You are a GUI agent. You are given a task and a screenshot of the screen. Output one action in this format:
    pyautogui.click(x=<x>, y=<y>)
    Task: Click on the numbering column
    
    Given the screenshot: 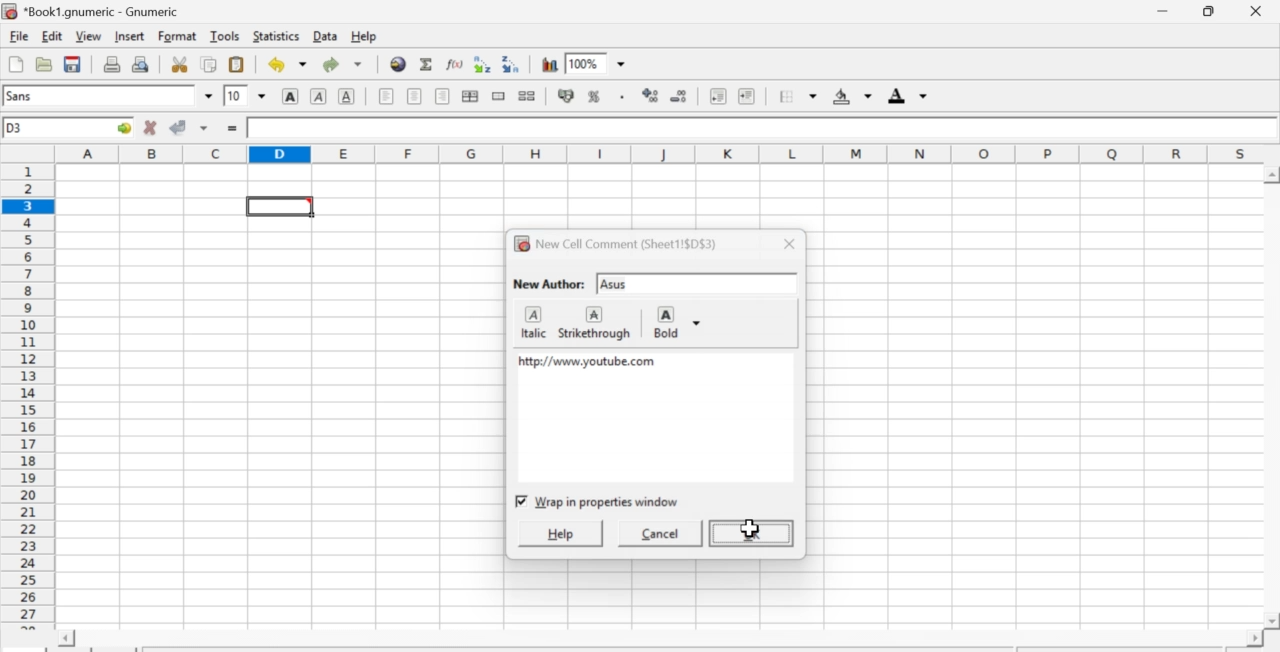 What is the action you would take?
    pyautogui.click(x=30, y=396)
    